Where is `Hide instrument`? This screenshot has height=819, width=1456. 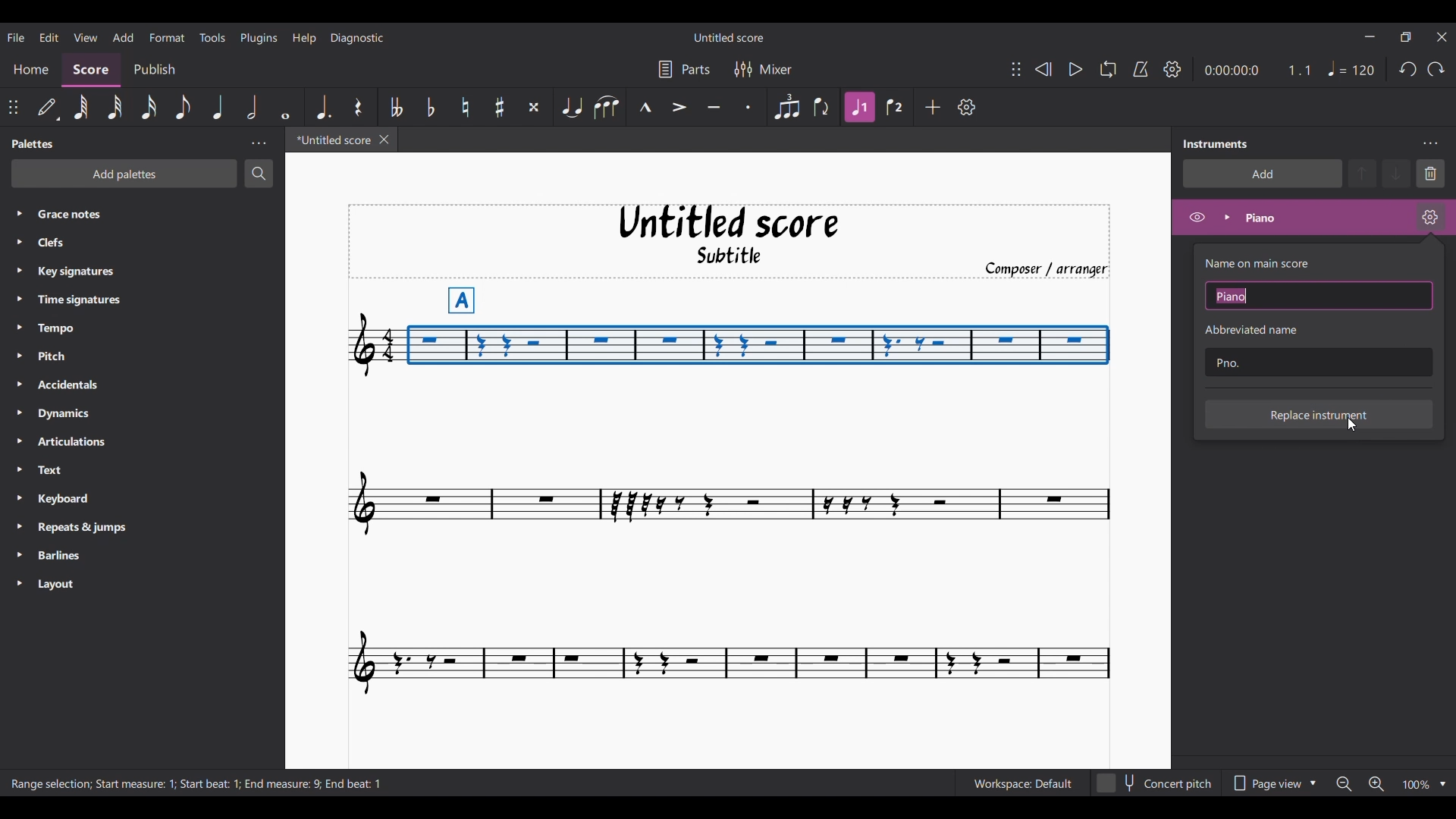
Hide instrument is located at coordinates (1197, 217).